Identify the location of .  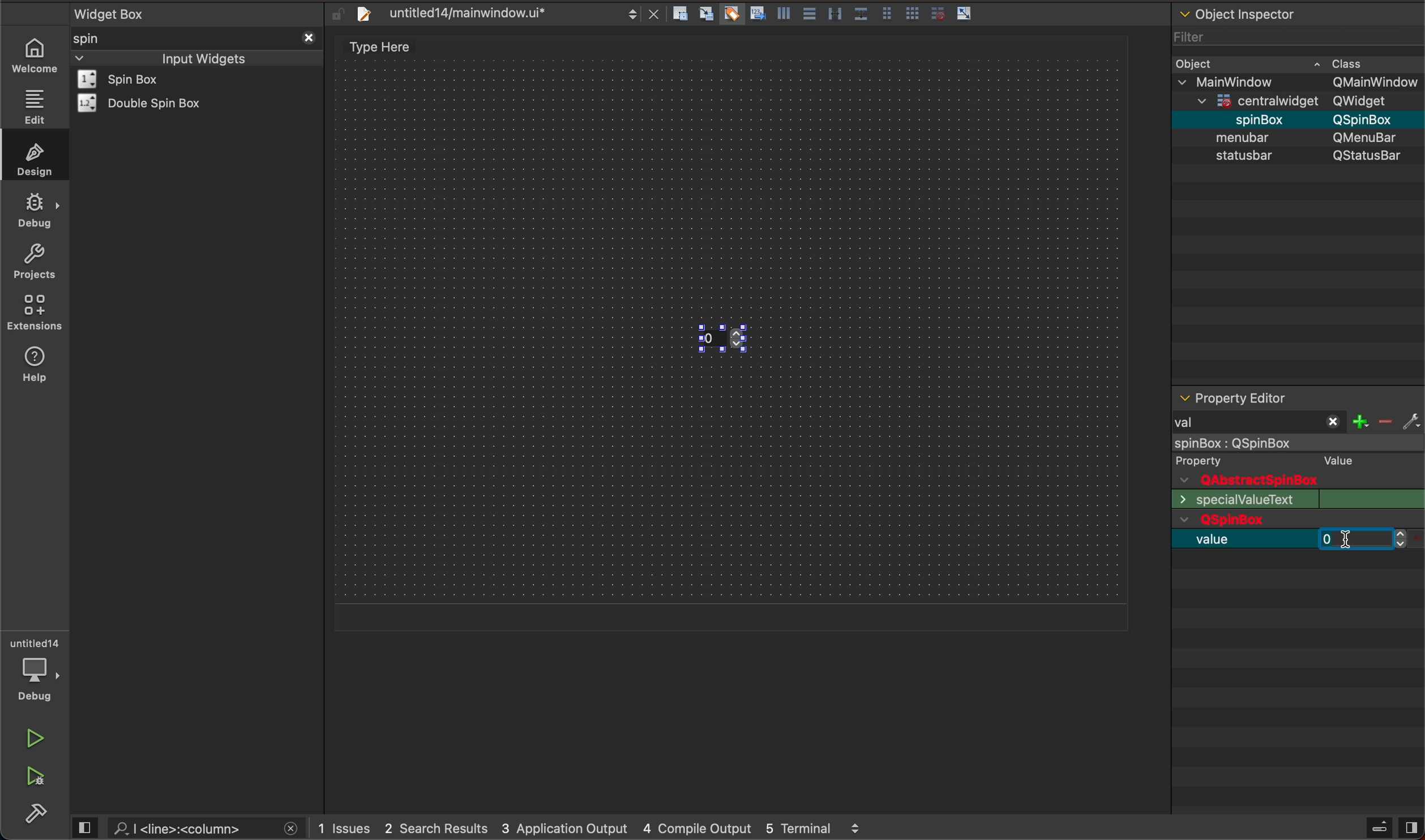
(1369, 137).